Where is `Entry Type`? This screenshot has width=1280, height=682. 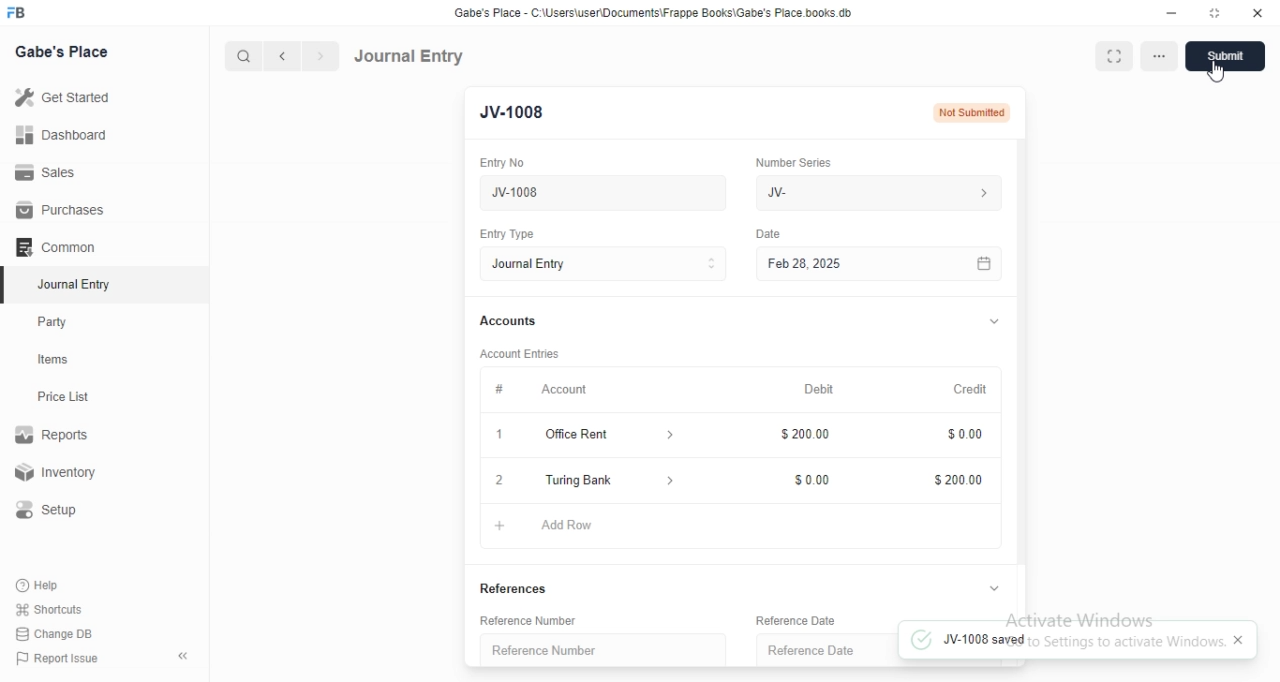
Entry Type is located at coordinates (510, 233).